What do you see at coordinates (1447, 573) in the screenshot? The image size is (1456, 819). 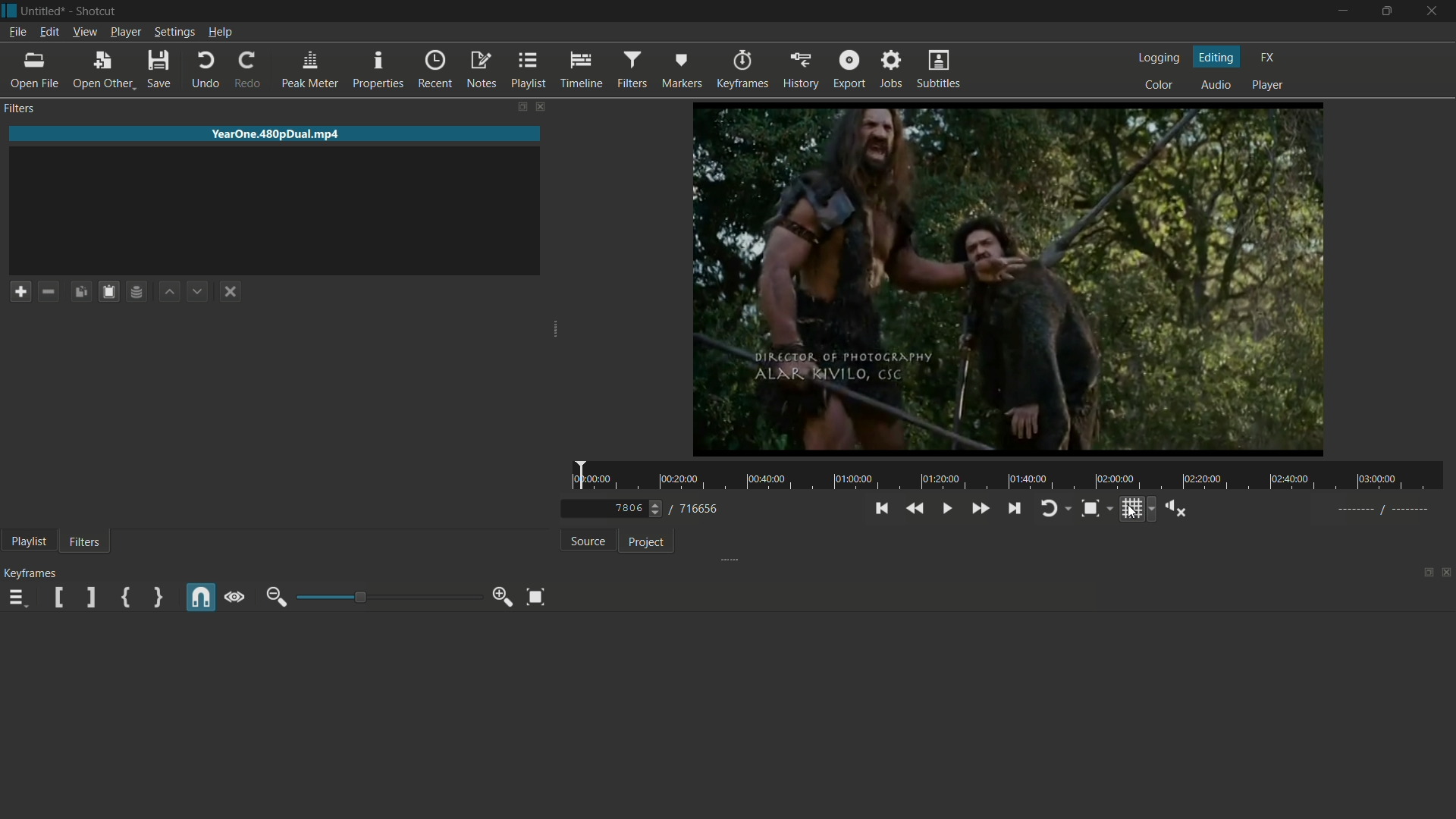 I see `close timeline` at bounding box center [1447, 573].